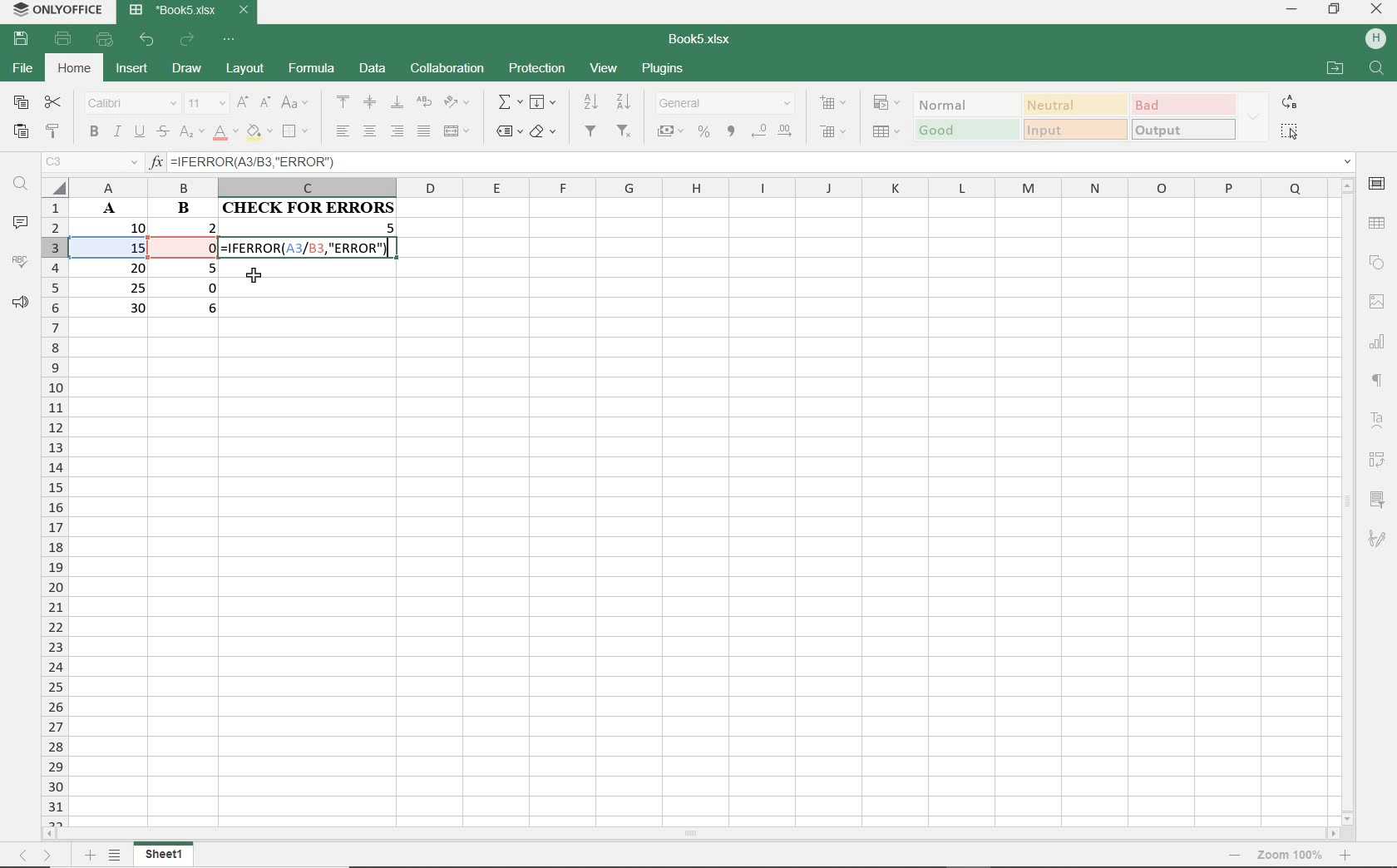  Describe the element at coordinates (705, 132) in the screenshot. I see `PERCENT STYLE` at that location.